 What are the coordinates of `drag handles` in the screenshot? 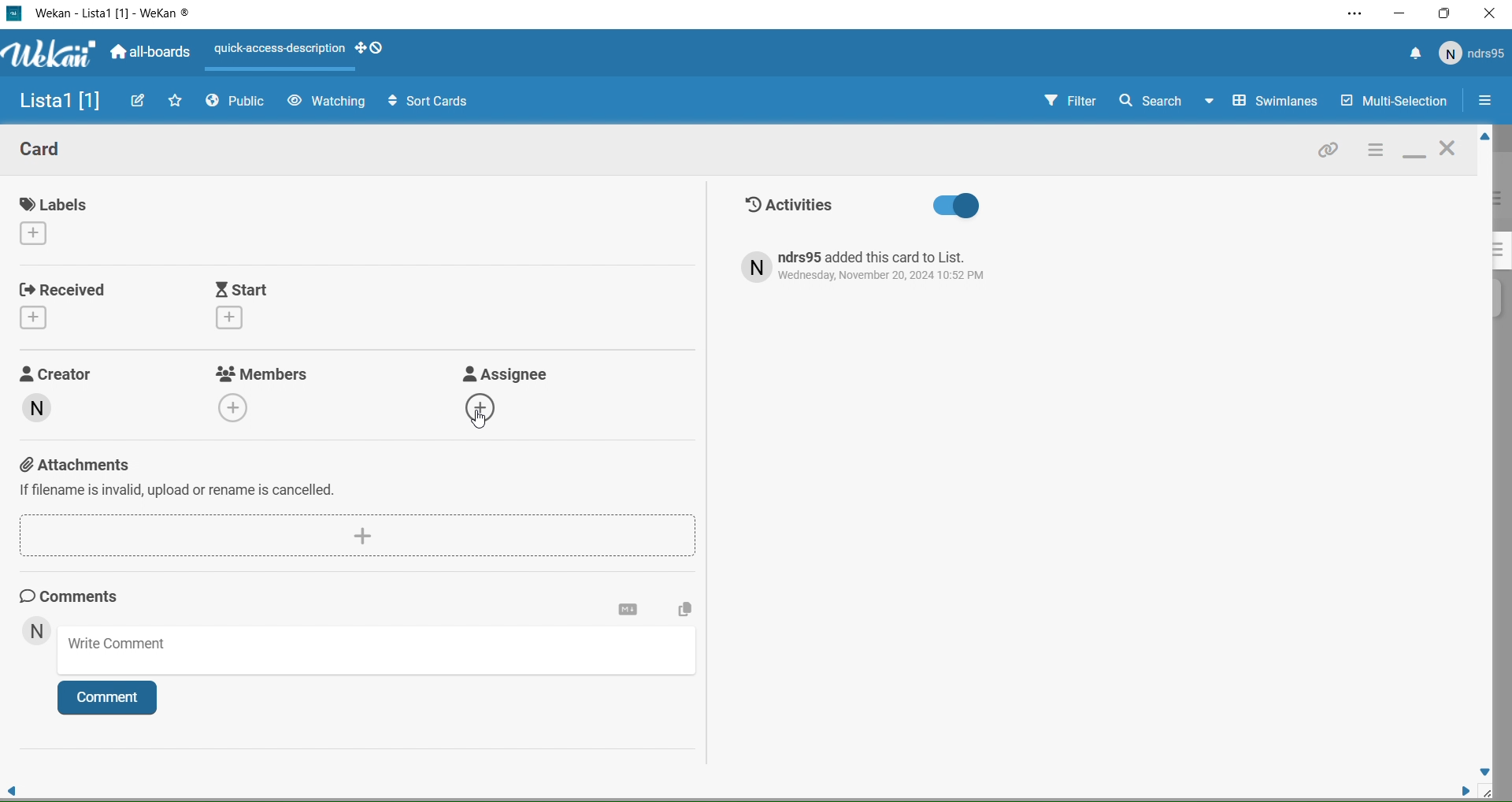 It's located at (373, 50).